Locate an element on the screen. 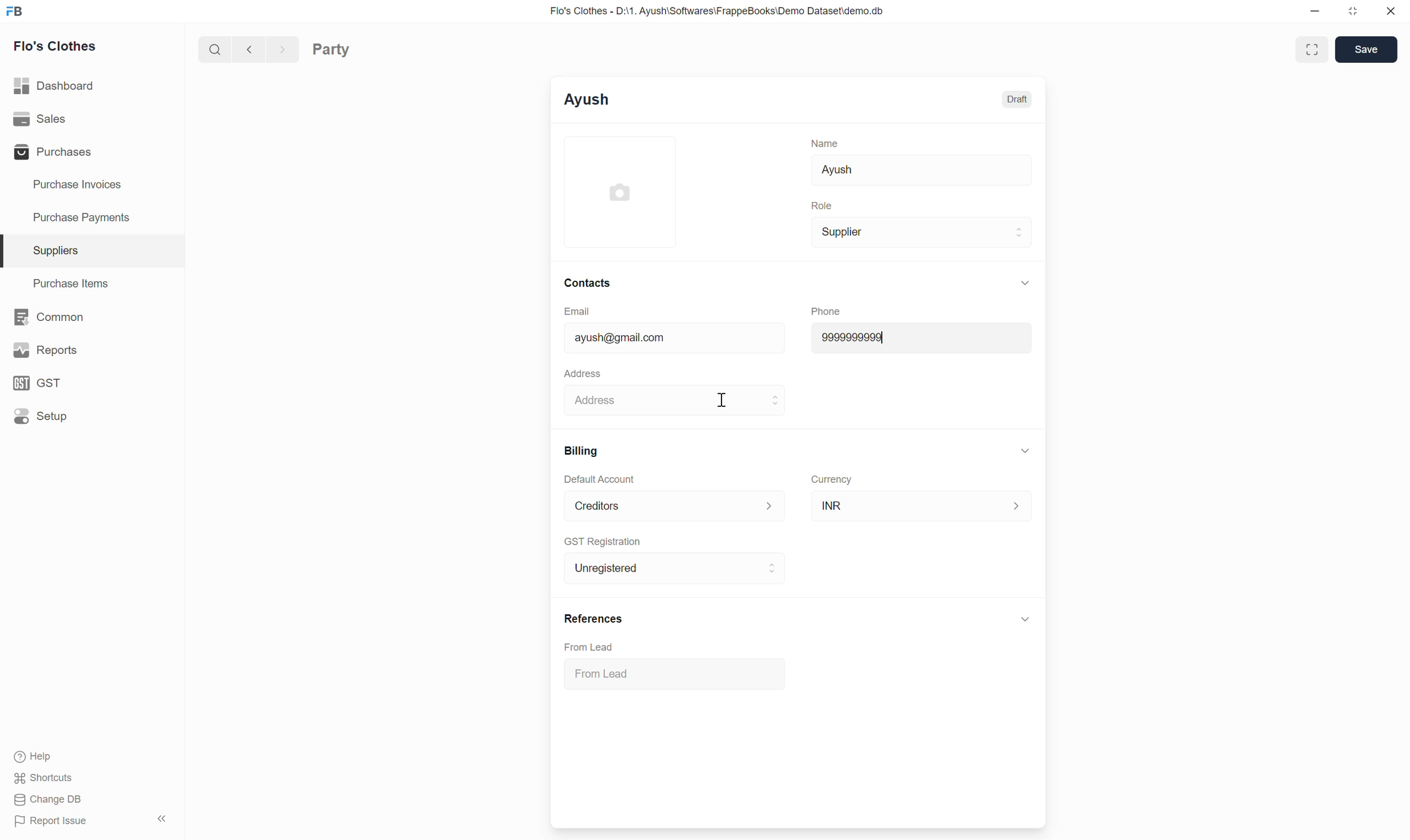 The image size is (1410, 840). Reports is located at coordinates (92, 350).